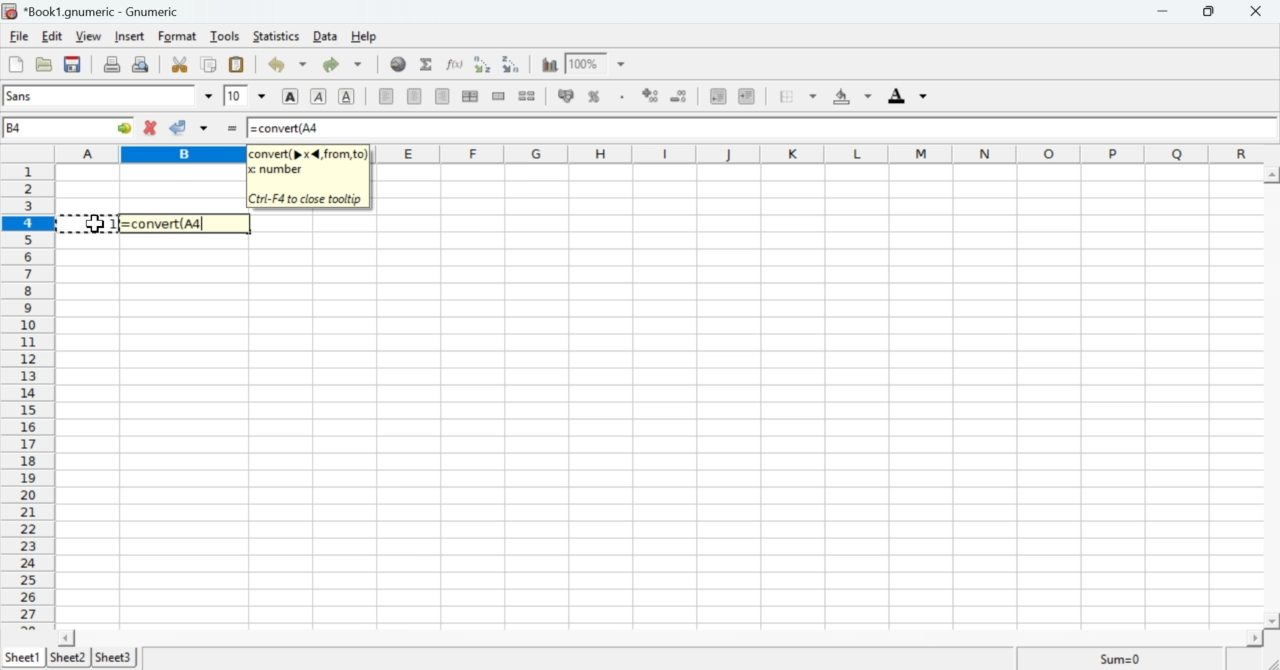 This screenshot has height=670, width=1280. I want to click on Sort by descending, so click(678, 96).